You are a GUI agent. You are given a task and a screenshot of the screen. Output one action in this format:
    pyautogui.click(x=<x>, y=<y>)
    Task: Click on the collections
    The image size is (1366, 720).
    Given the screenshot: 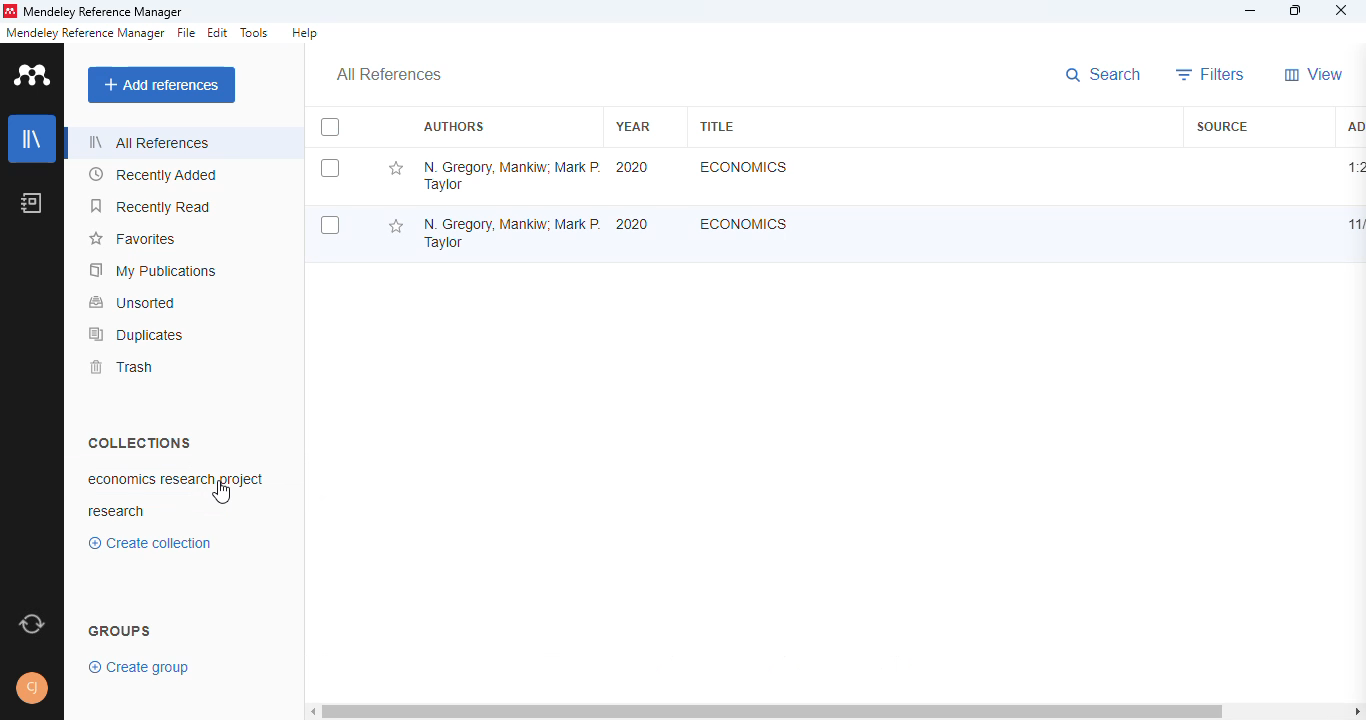 What is the action you would take?
    pyautogui.click(x=139, y=442)
    